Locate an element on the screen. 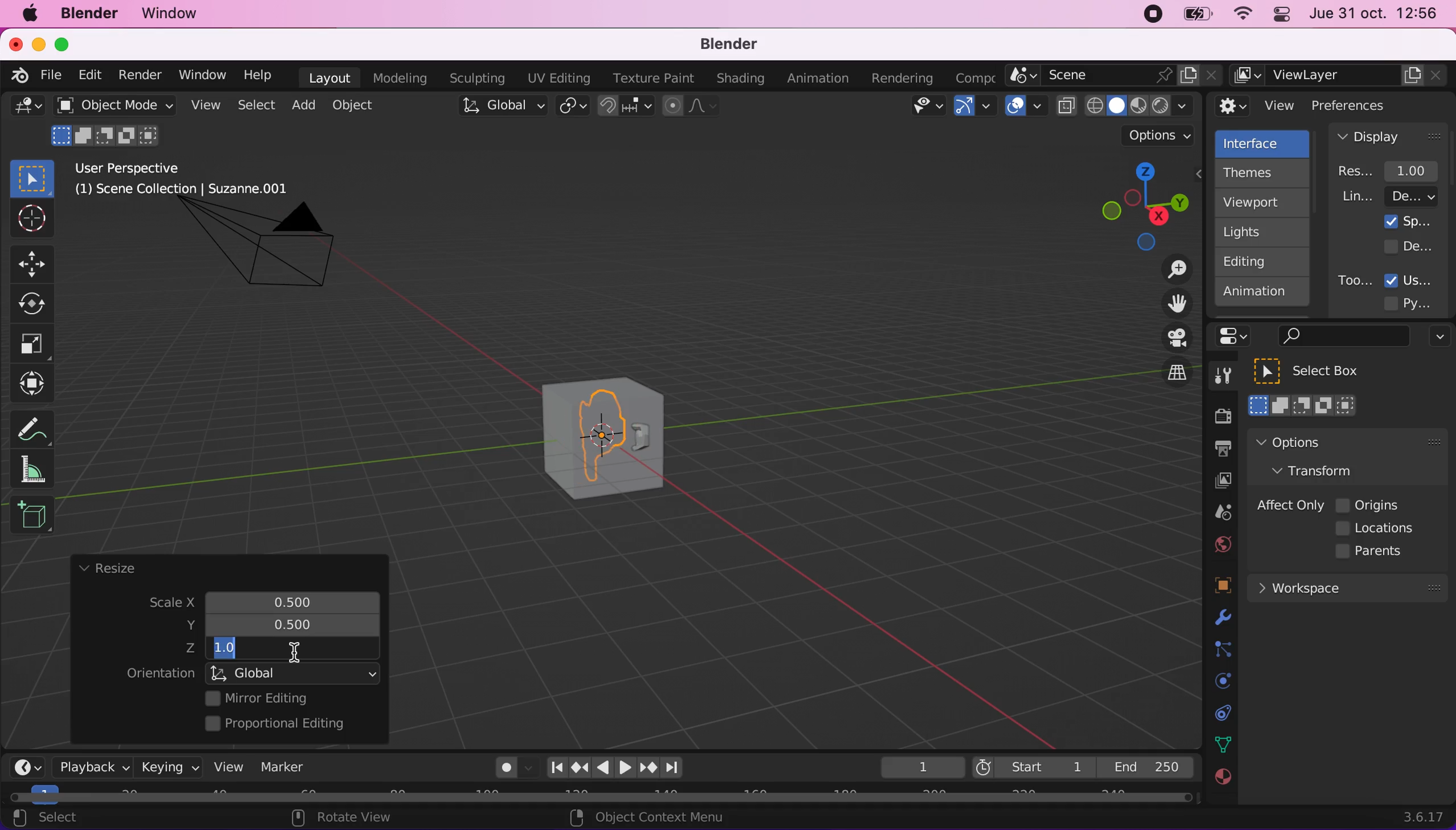 This screenshot has height=830, width=1456. texture paint is located at coordinates (651, 78).